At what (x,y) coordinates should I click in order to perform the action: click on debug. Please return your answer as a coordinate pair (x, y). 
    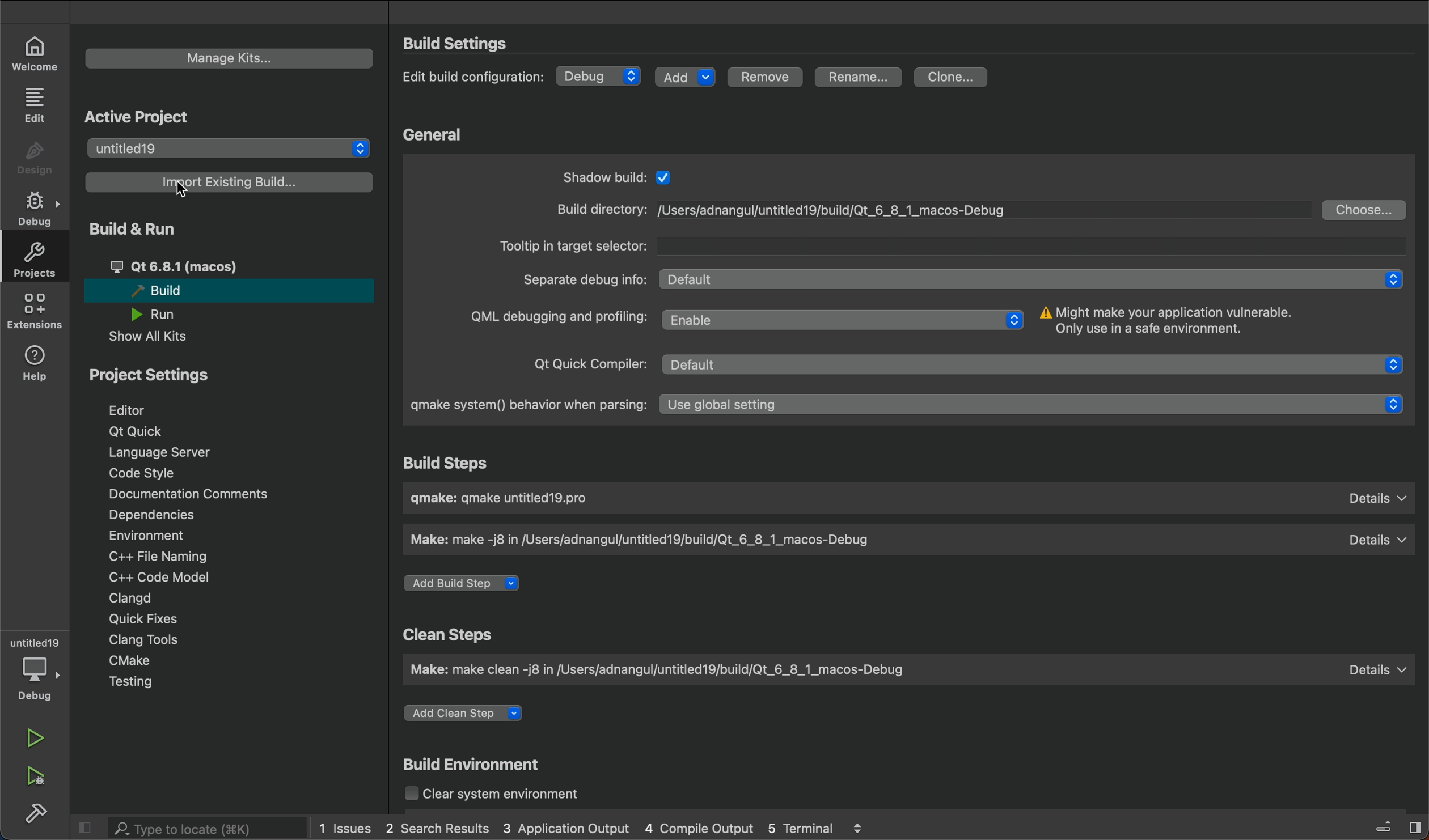
    Looking at the image, I should click on (39, 209).